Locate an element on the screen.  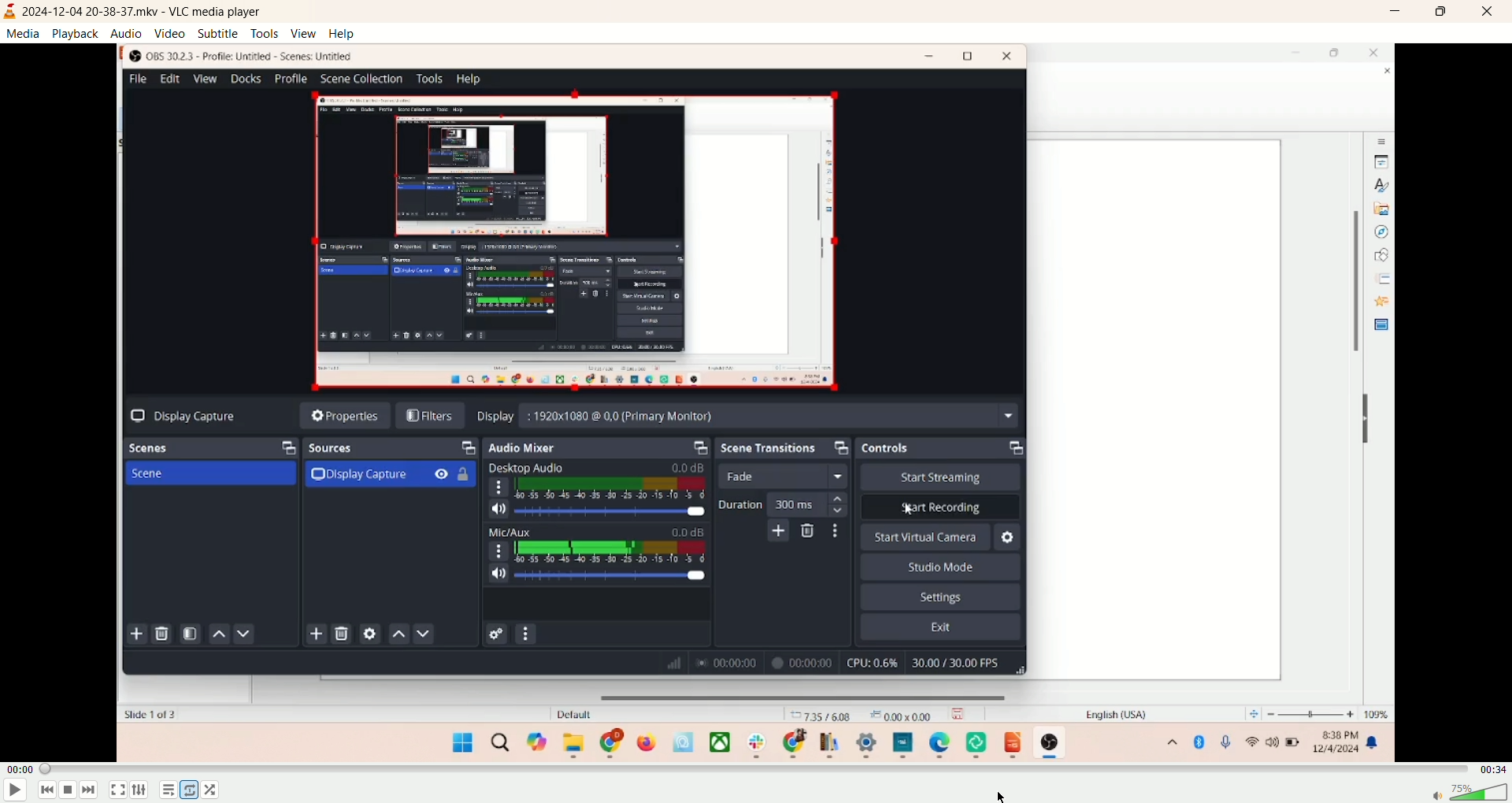
fullscreen is located at coordinates (118, 790).